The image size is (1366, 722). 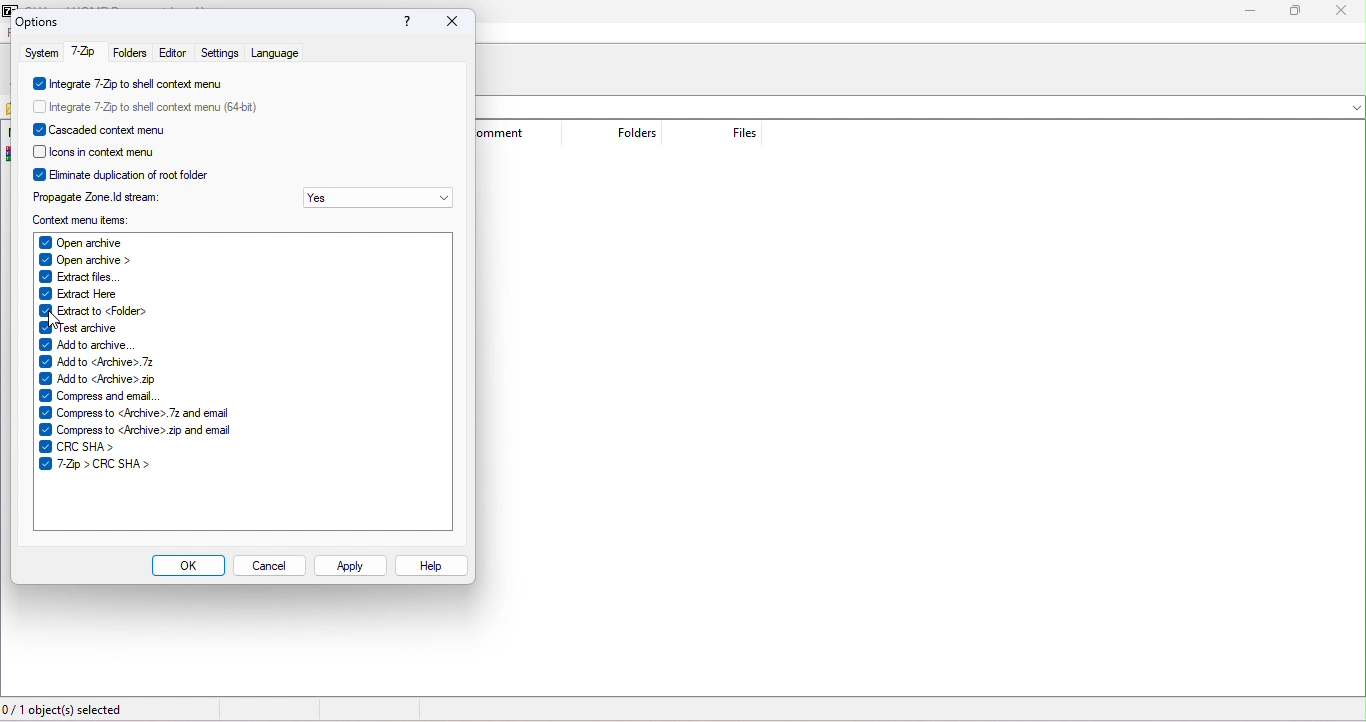 What do you see at coordinates (83, 54) in the screenshot?
I see `7 zip` at bounding box center [83, 54].